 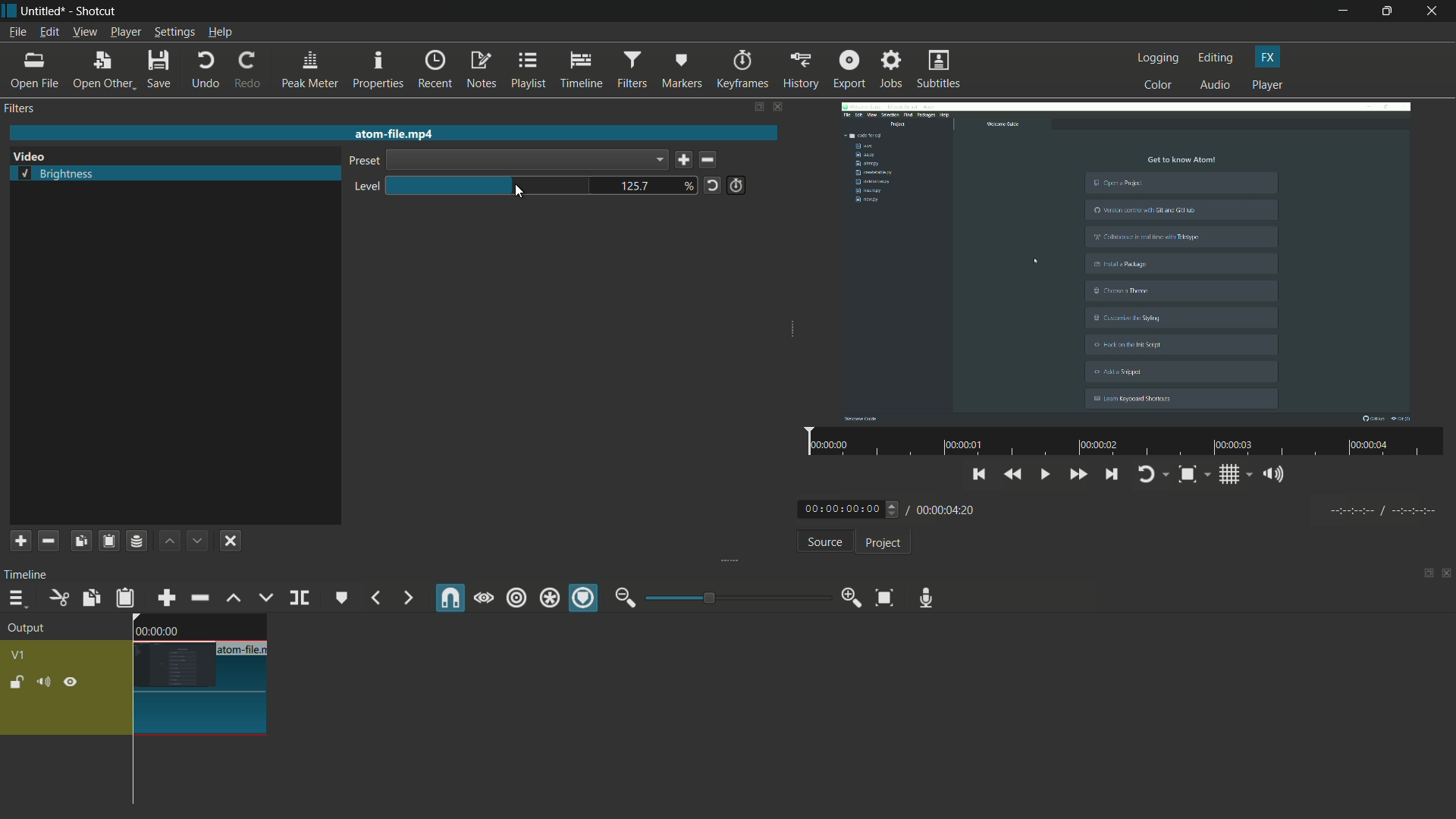 I want to click on record audio, so click(x=922, y=598).